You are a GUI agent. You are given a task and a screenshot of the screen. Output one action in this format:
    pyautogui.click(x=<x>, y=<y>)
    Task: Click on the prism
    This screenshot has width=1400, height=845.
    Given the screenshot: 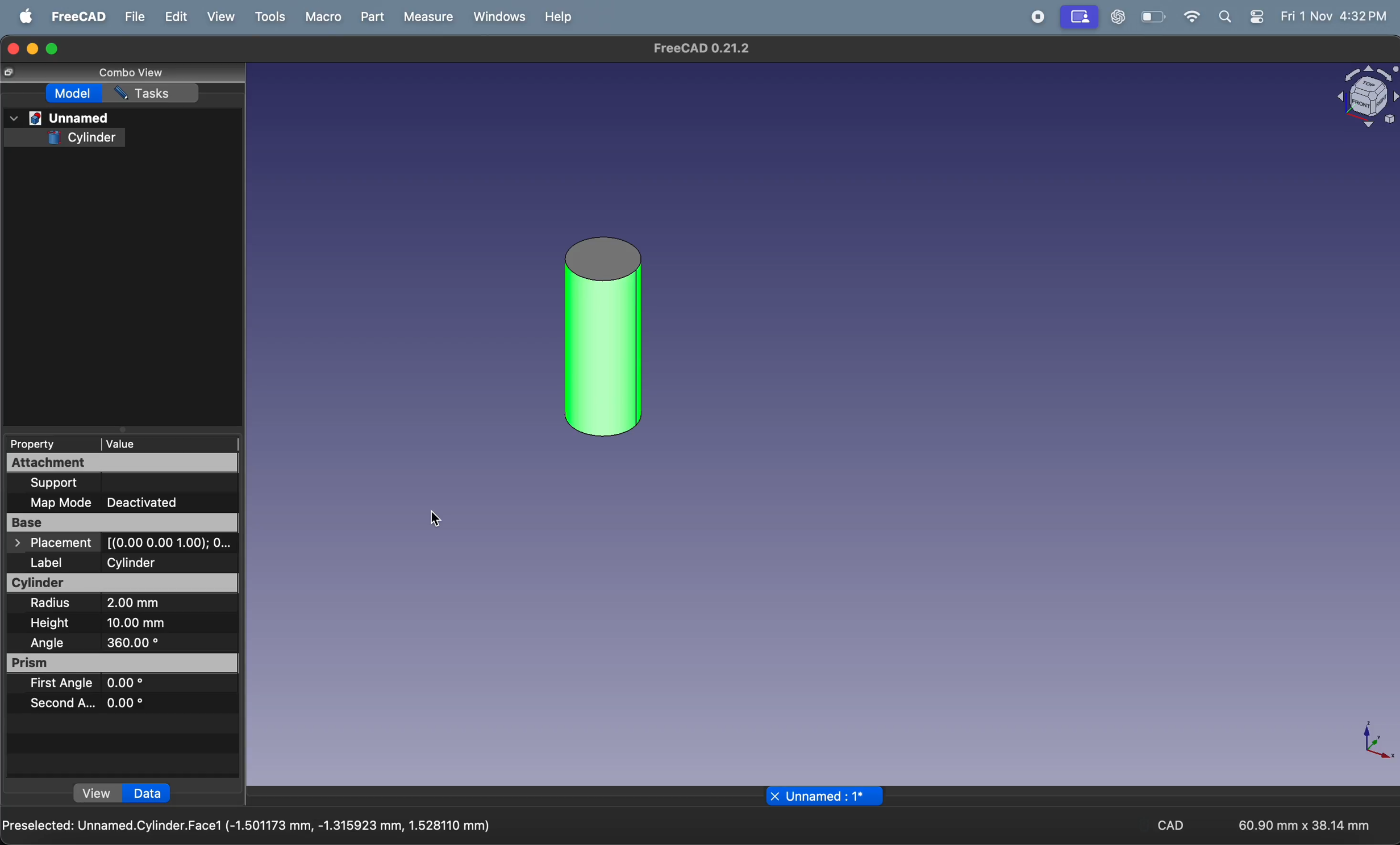 What is the action you would take?
    pyautogui.click(x=124, y=663)
    